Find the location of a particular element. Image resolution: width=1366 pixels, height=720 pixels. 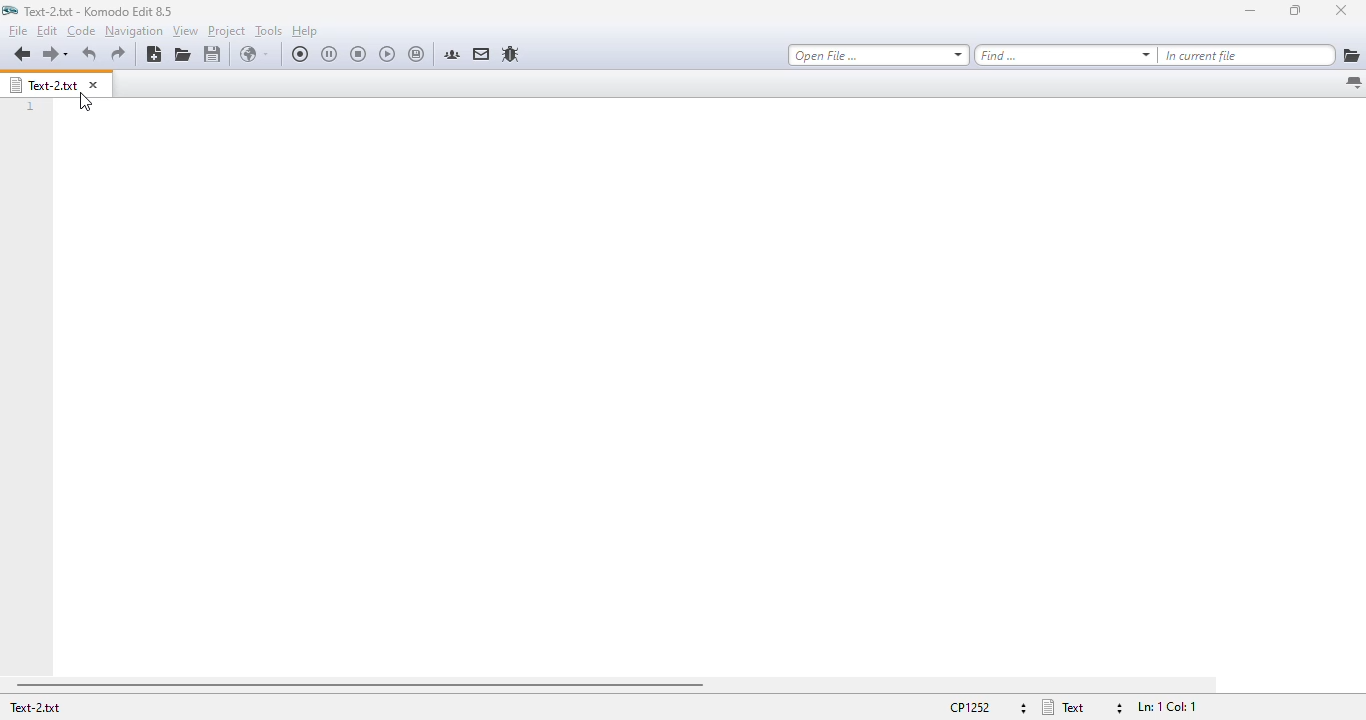

list all tabs is located at coordinates (1352, 83).